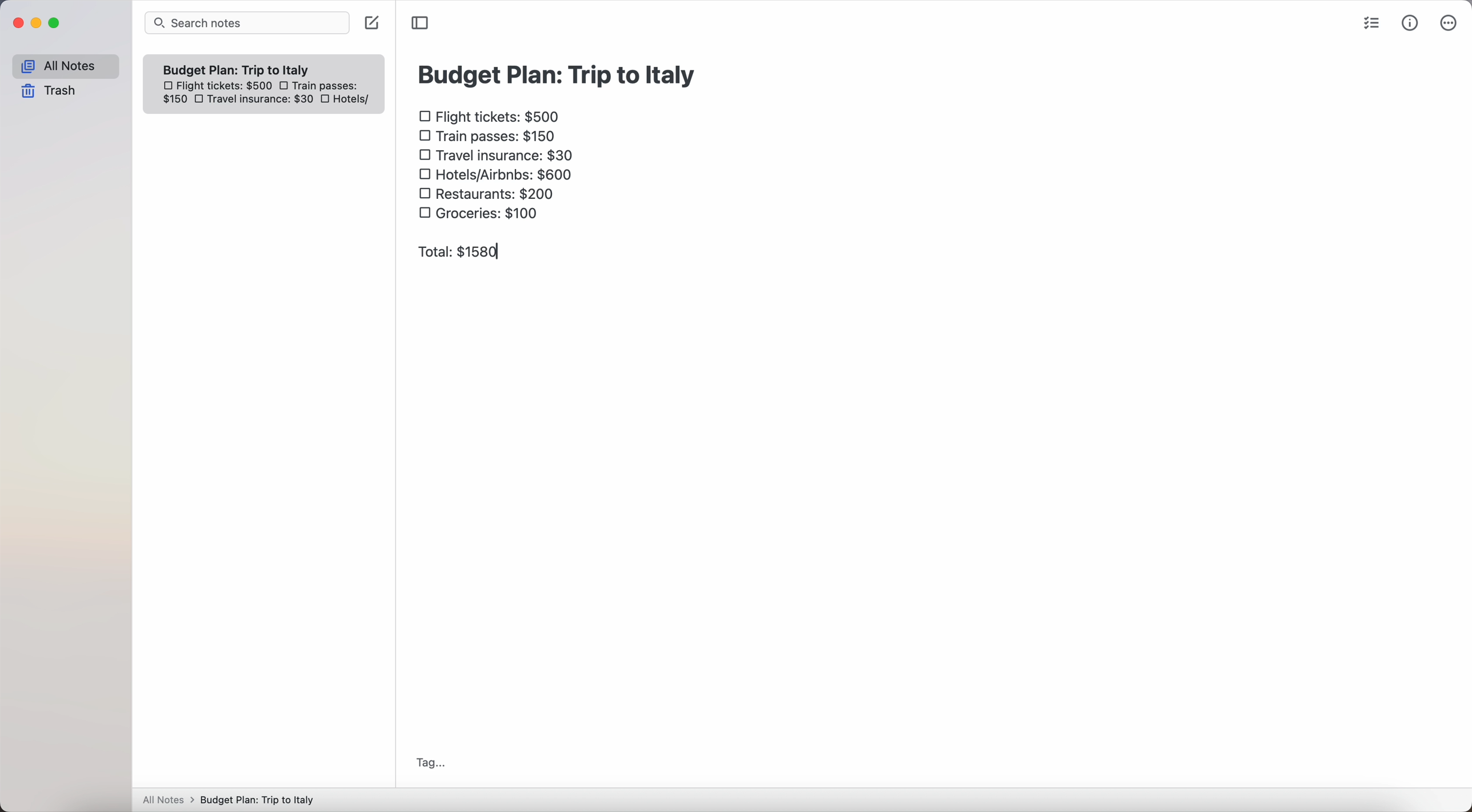  Describe the element at coordinates (431, 763) in the screenshot. I see `tag` at that location.